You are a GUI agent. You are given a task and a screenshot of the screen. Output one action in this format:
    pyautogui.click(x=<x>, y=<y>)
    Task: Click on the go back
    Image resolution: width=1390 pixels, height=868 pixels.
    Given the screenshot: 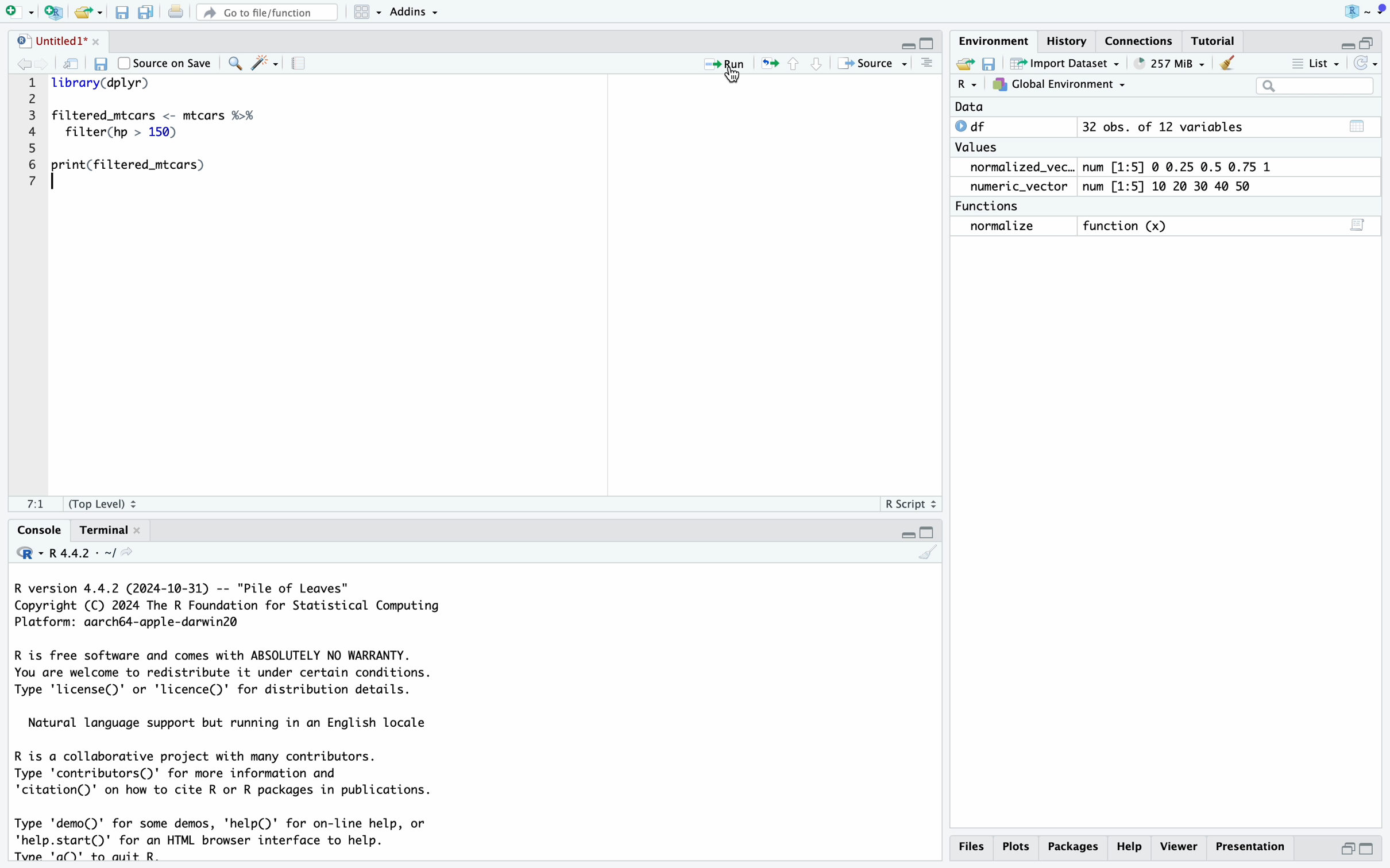 What is the action you would take?
    pyautogui.click(x=18, y=64)
    